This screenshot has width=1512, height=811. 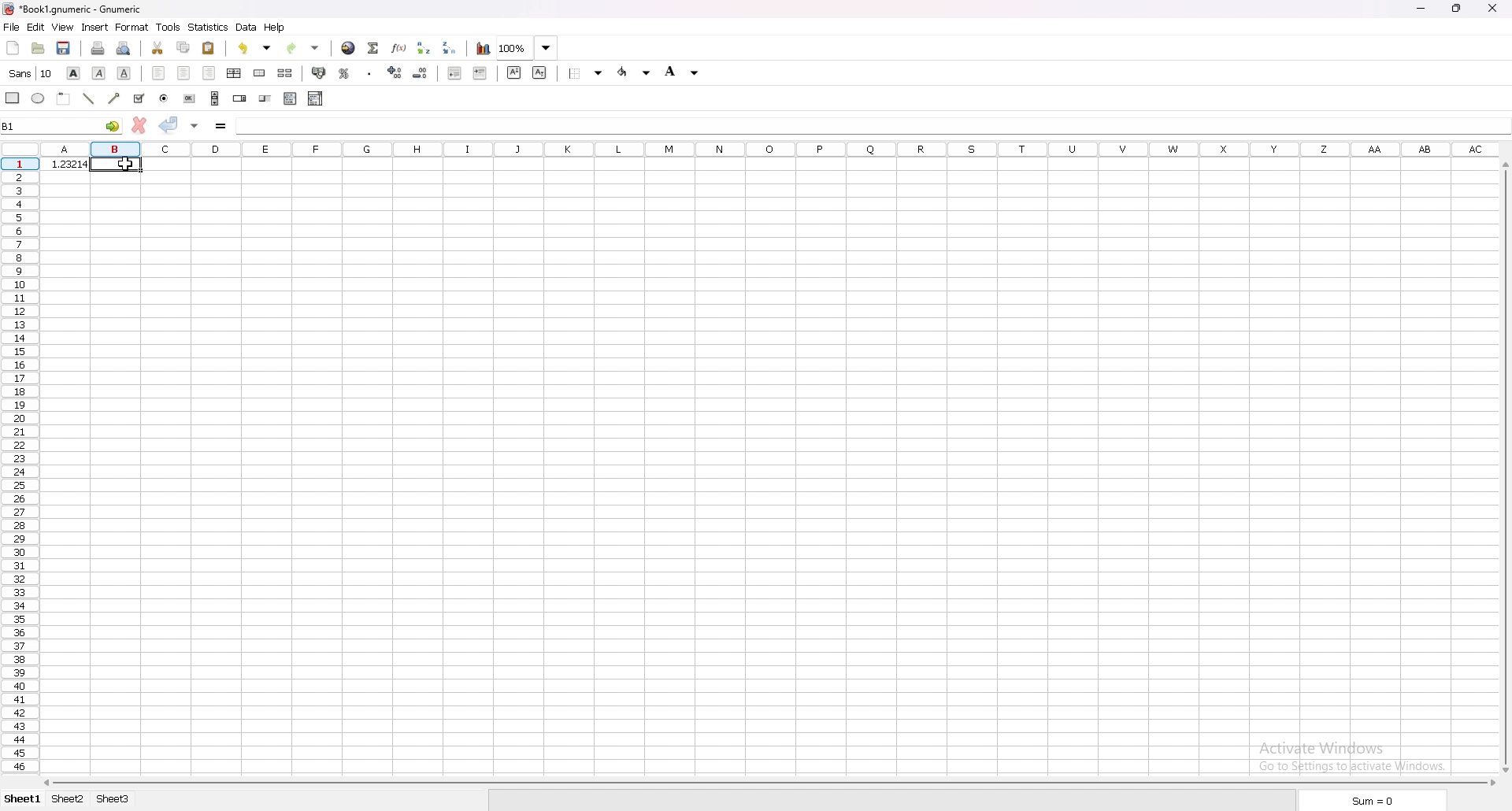 I want to click on sheet 1, so click(x=23, y=799).